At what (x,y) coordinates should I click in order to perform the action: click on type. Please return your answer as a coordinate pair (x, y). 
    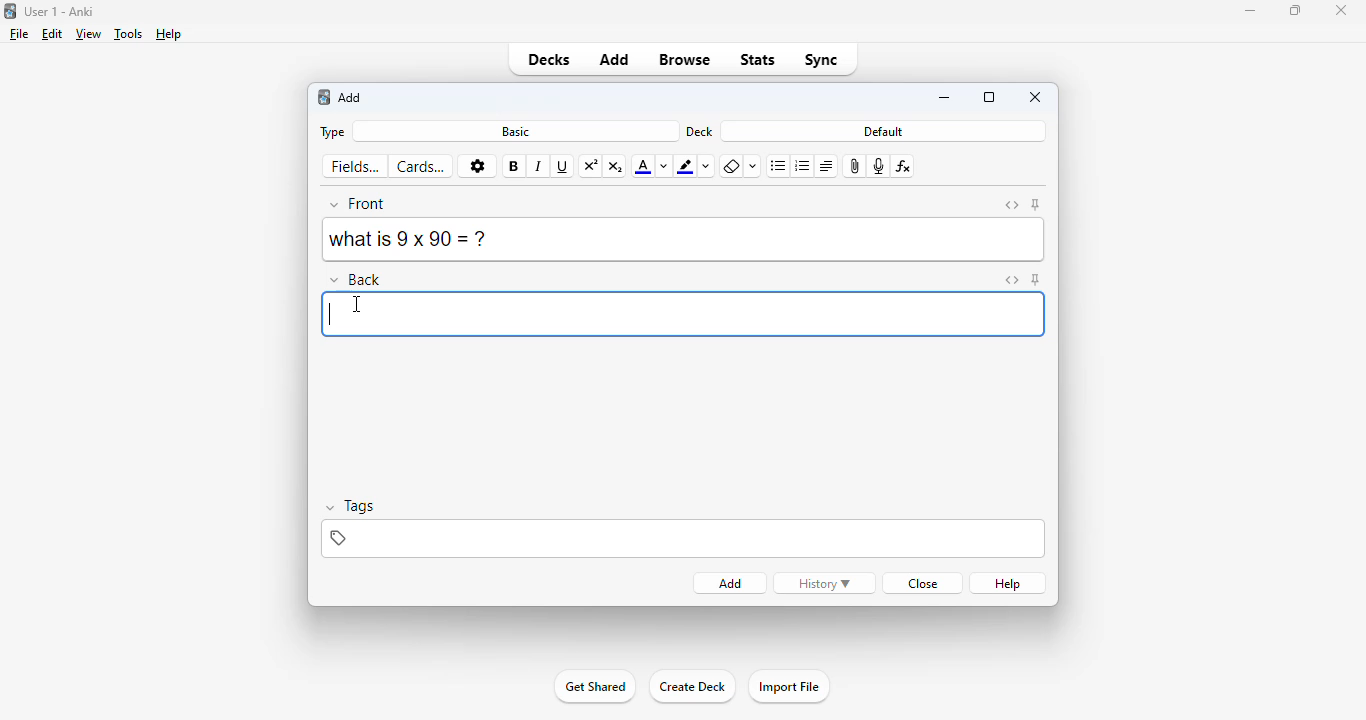
    Looking at the image, I should click on (330, 132).